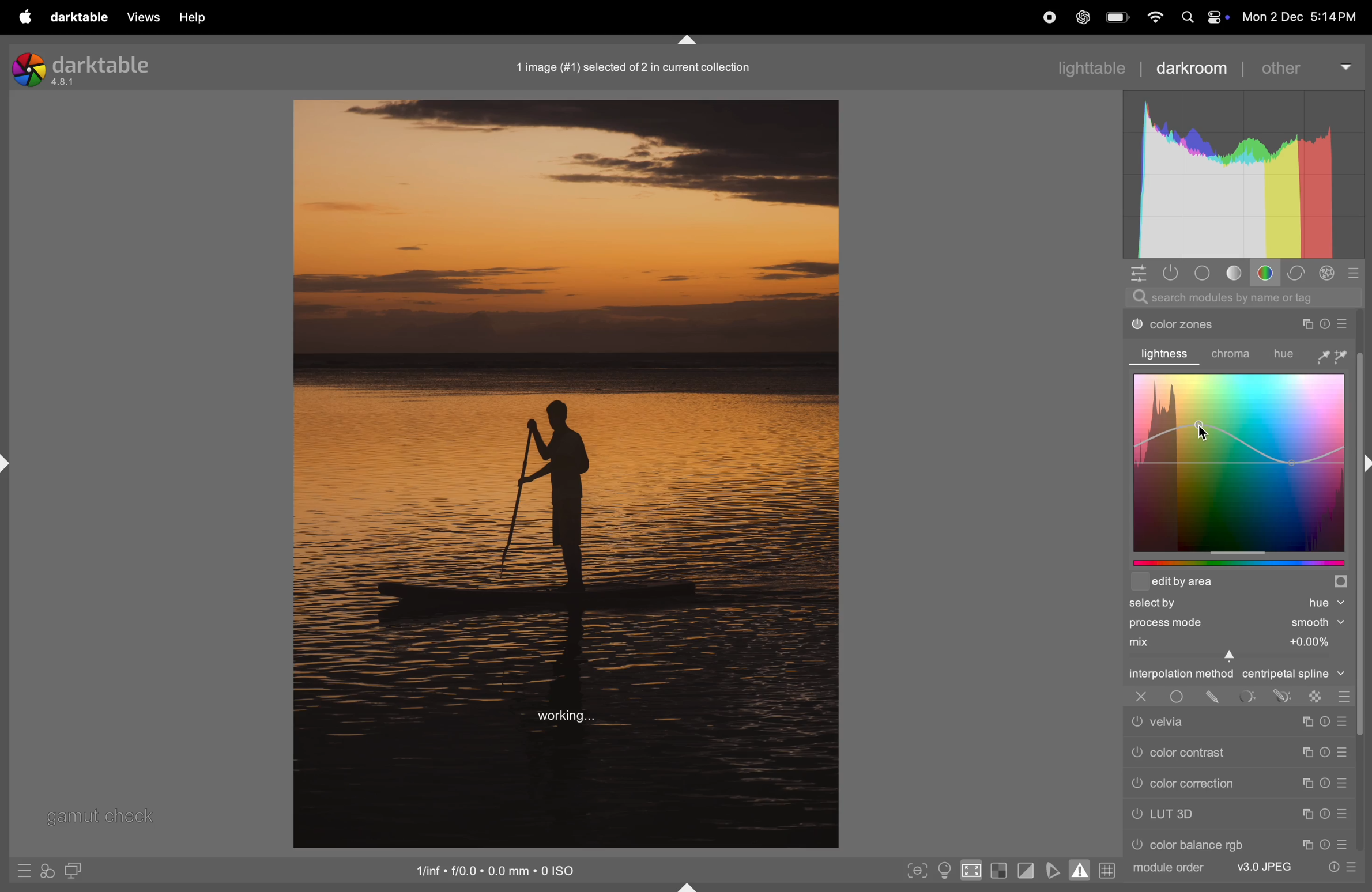 This screenshot has height=892, width=1372. What do you see at coordinates (47, 872) in the screenshot?
I see `styles` at bounding box center [47, 872].